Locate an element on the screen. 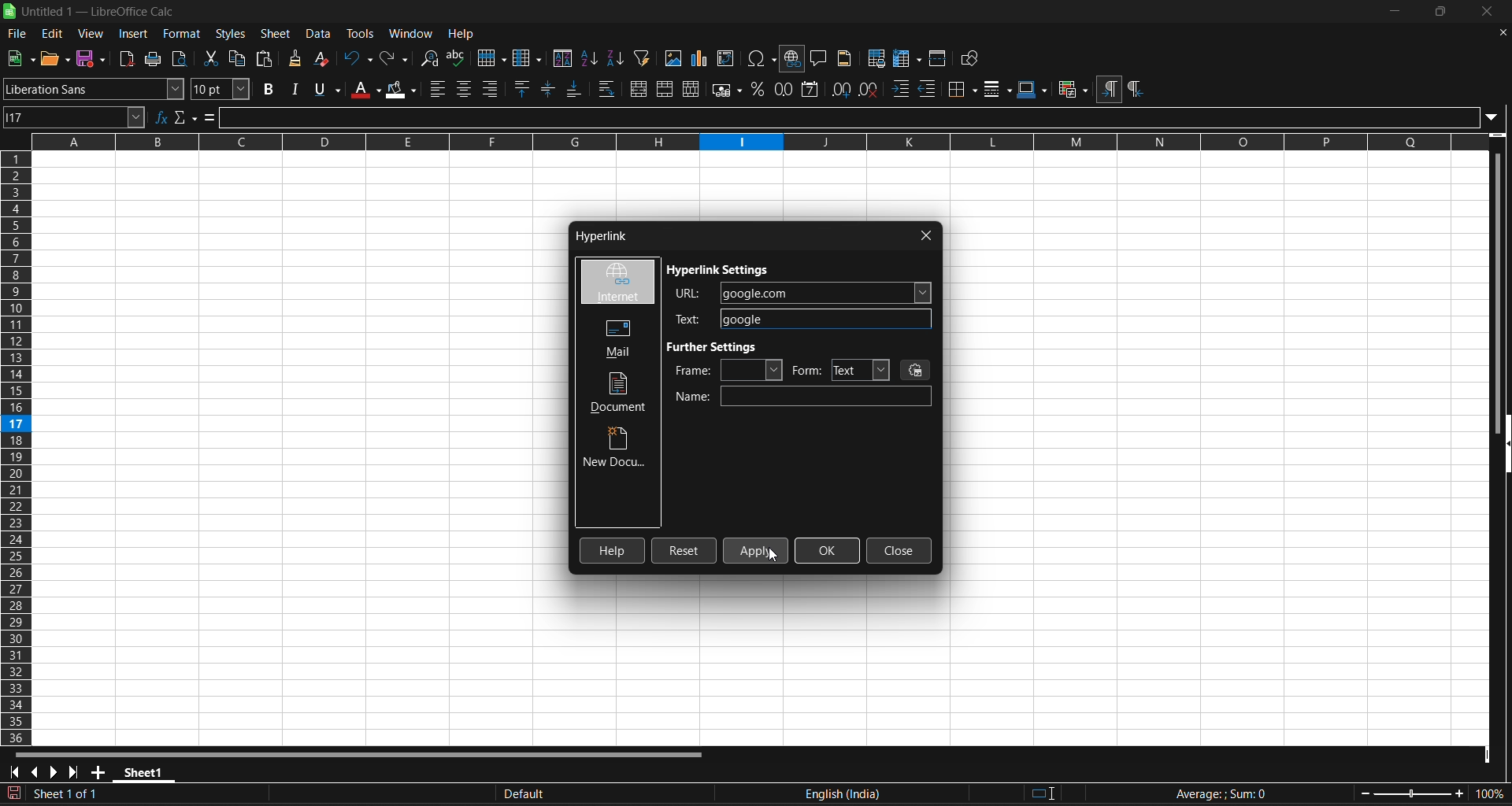 The image size is (1512, 806). show draw functions is located at coordinates (973, 58).